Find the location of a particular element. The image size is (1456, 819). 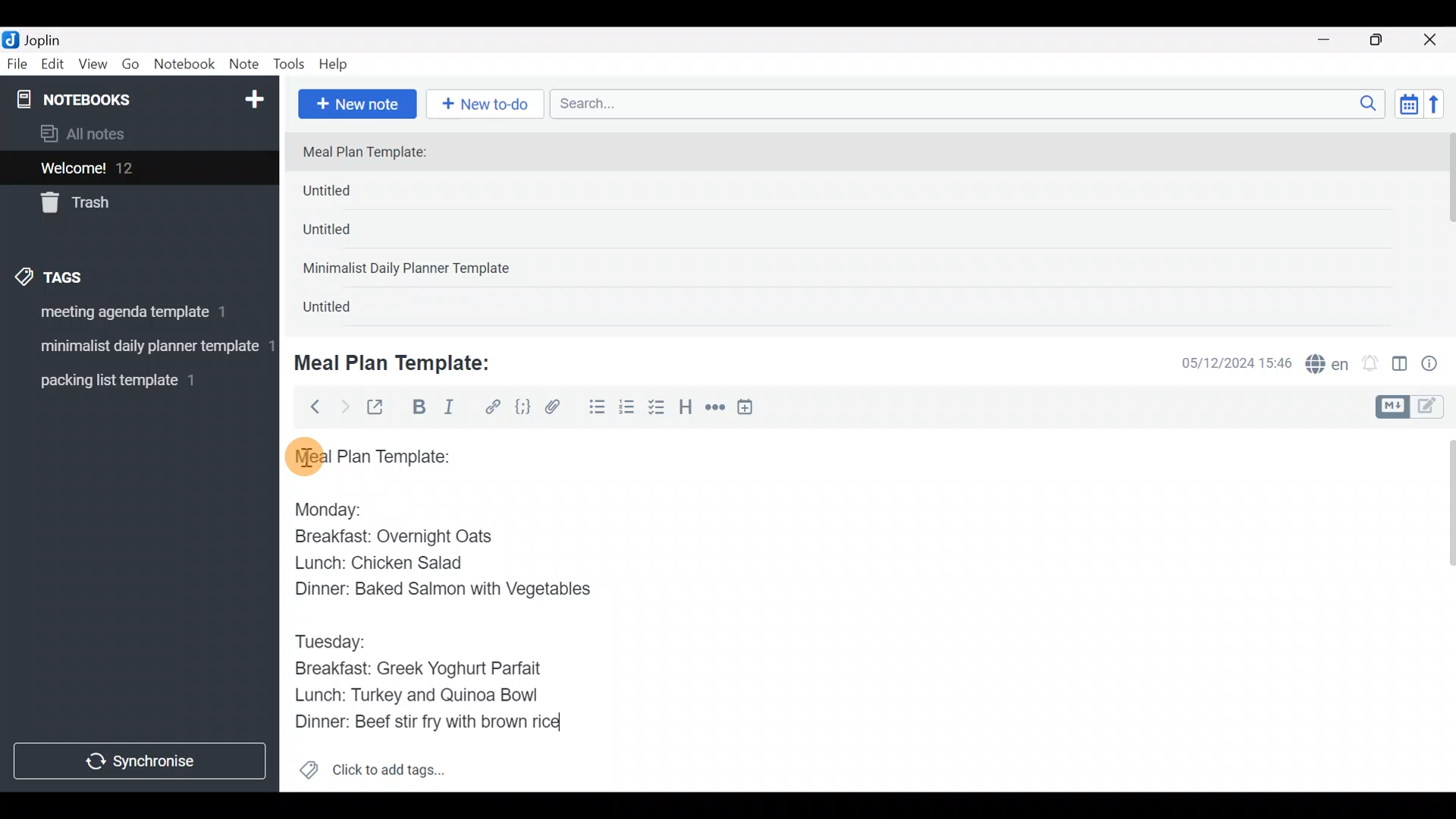

Close is located at coordinates (1432, 41).